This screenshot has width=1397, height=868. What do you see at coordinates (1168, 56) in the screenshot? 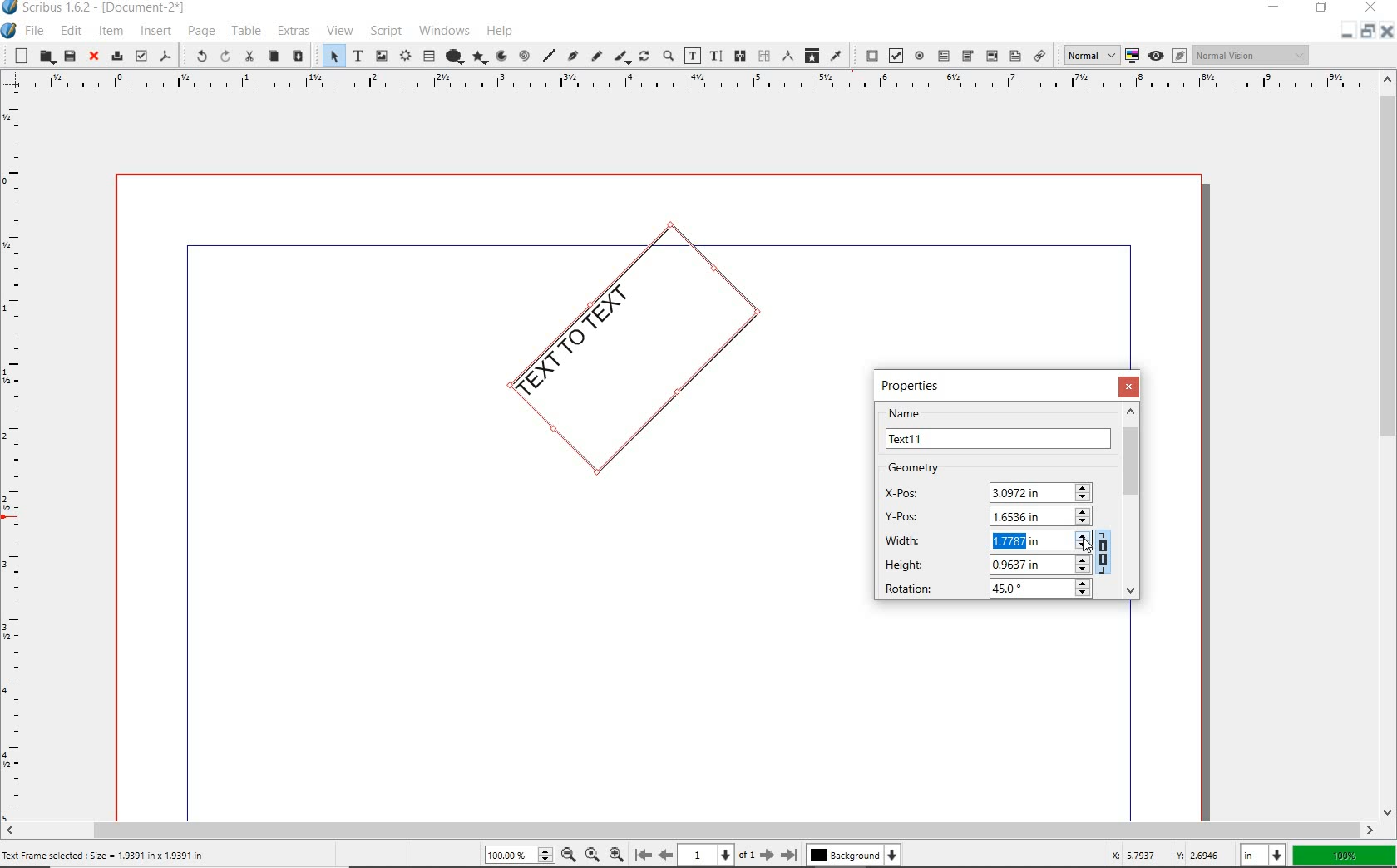
I see `preview mode` at bounding box center [1168, 56].